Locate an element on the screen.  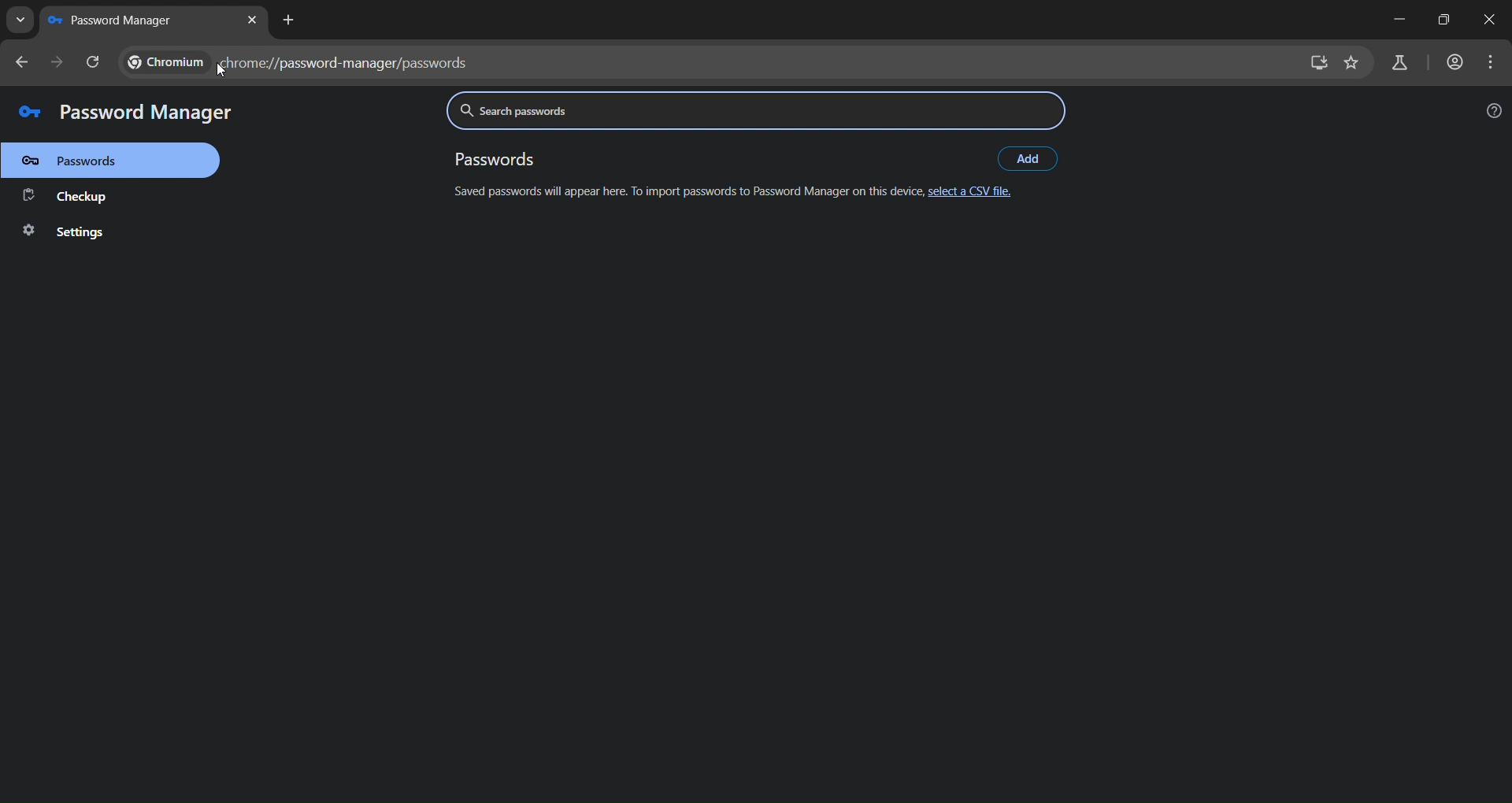
new tab is located at coordinates (291, 20).